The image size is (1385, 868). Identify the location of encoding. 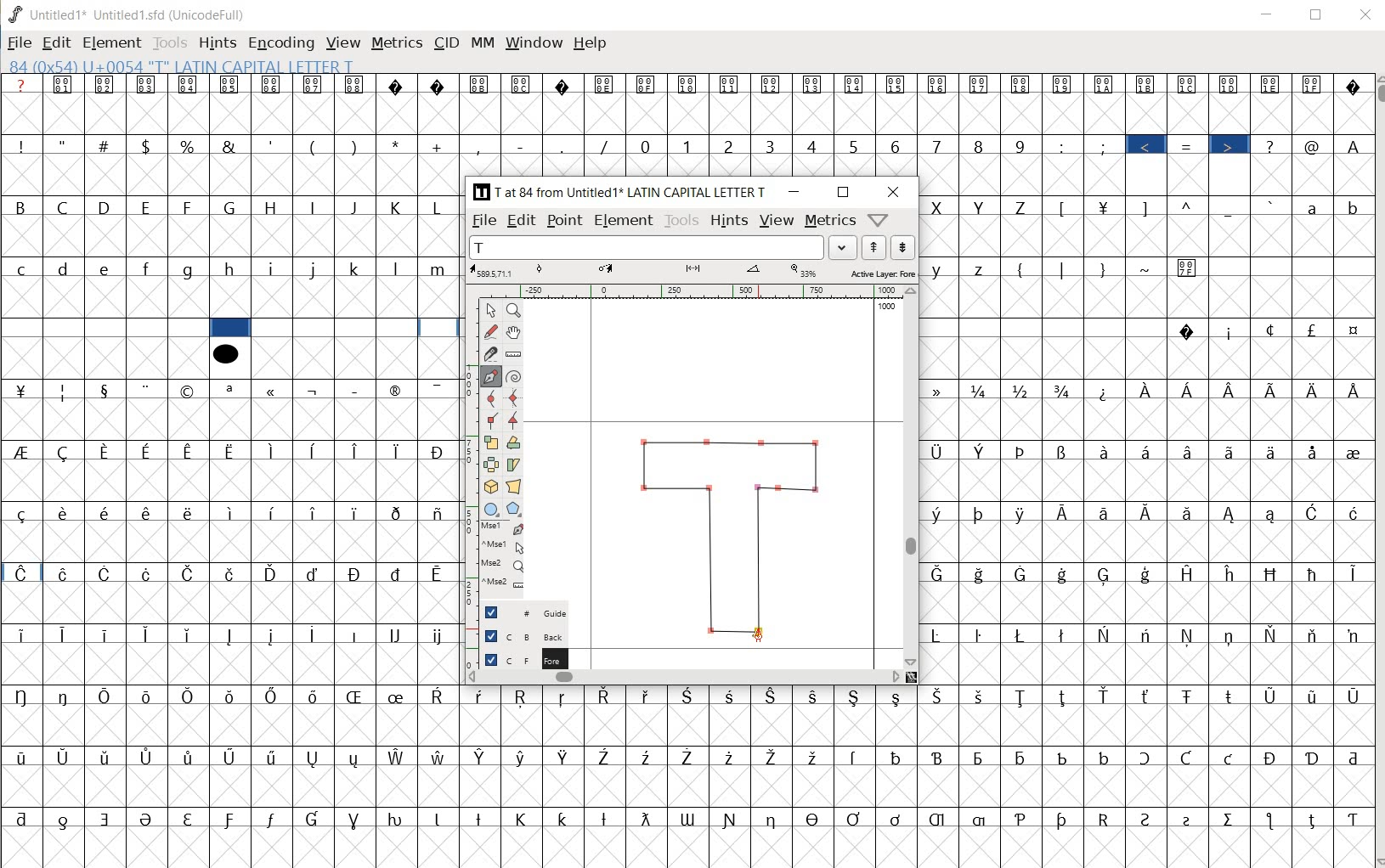
(280, 44).